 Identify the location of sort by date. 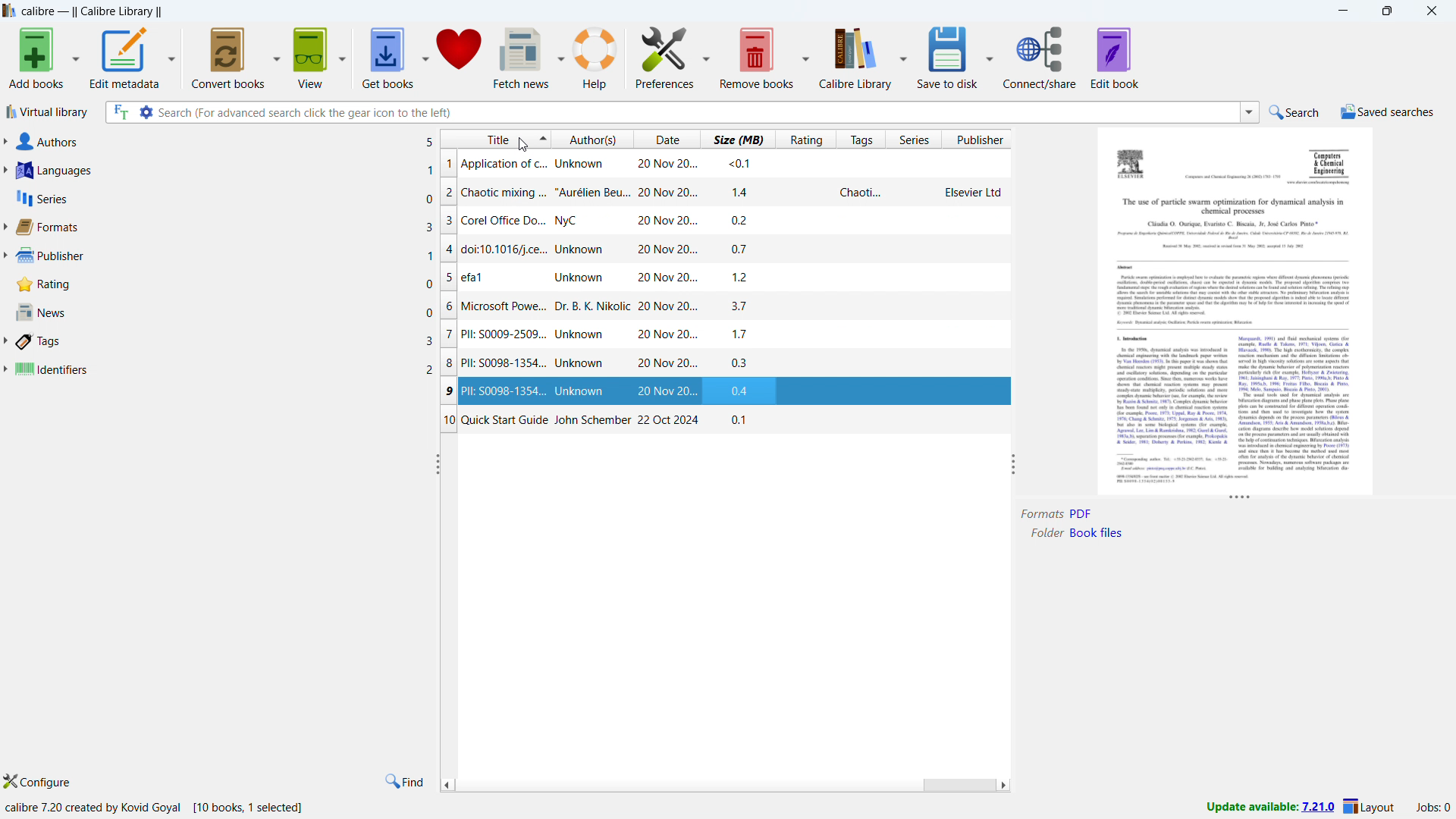
(664, 139).